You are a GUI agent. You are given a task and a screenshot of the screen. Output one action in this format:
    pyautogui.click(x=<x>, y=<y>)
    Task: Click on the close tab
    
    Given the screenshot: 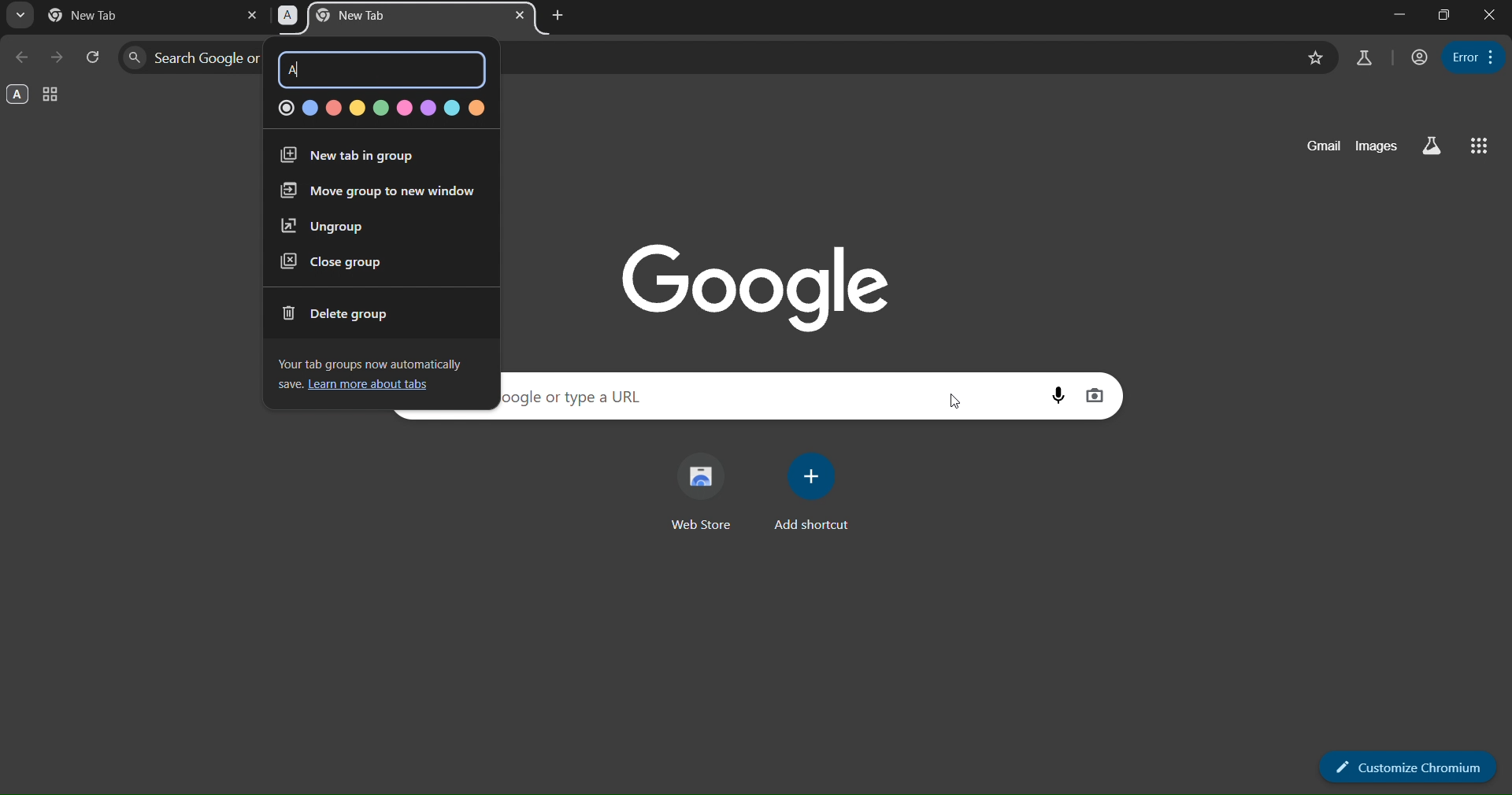 What is the action you would take?
    pyautogui.click(x=250, y=17)
    